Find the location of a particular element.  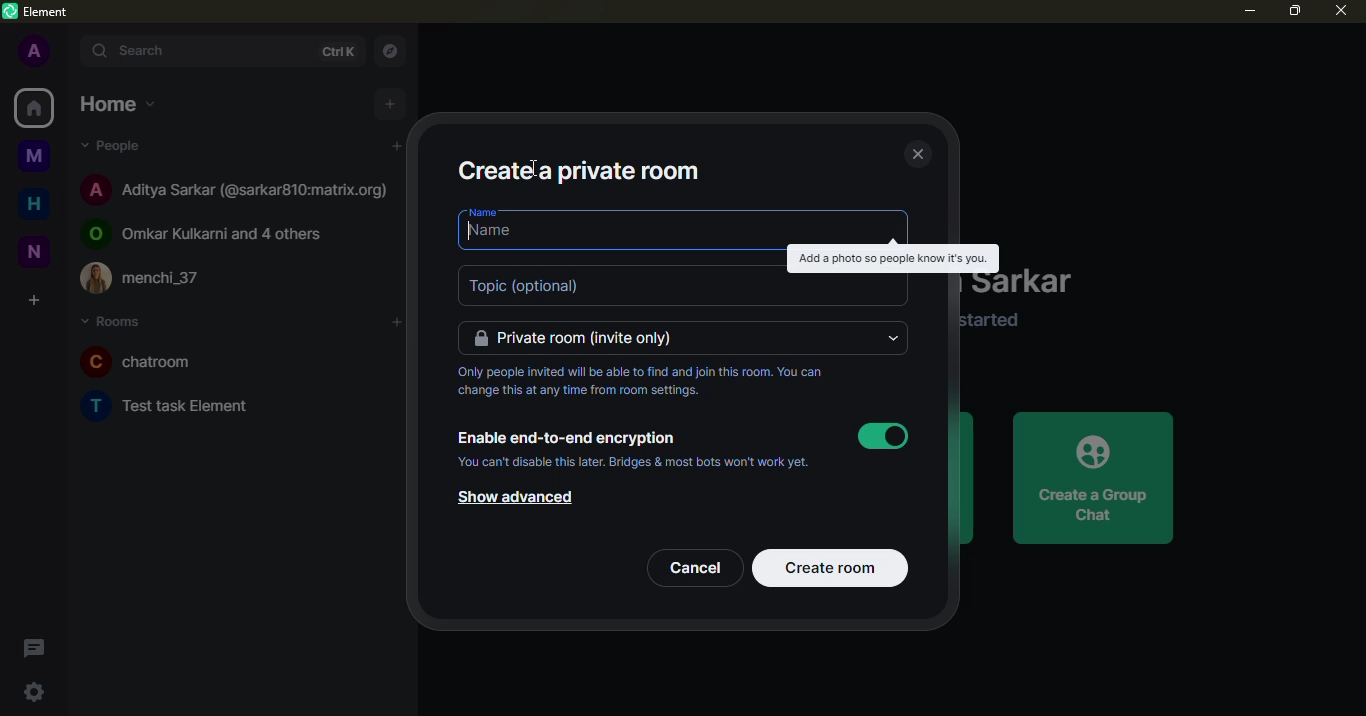

add is located at coordinates (398, 147).